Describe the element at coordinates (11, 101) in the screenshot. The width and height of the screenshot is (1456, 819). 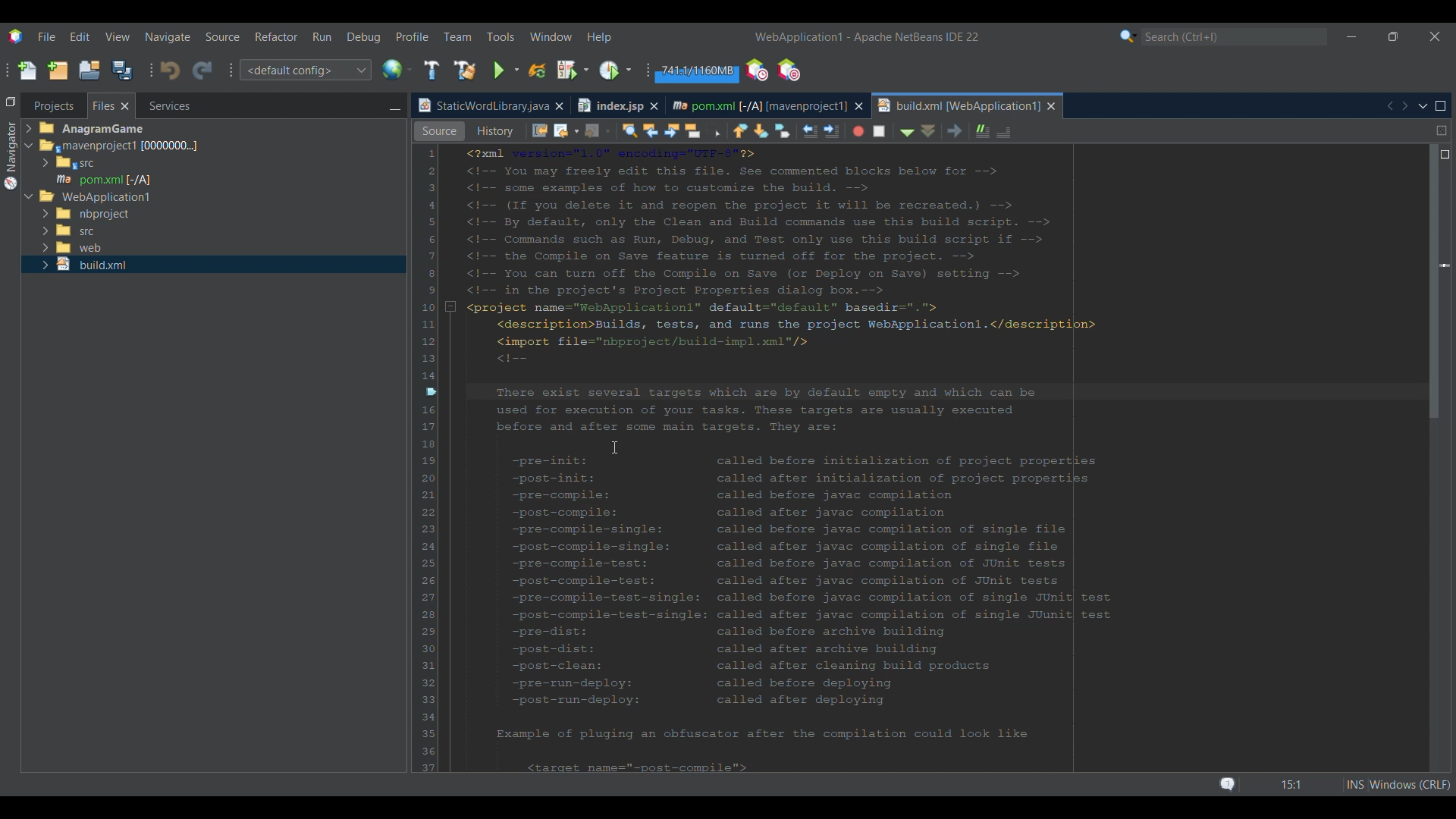
I see `Restore window group` at that location.